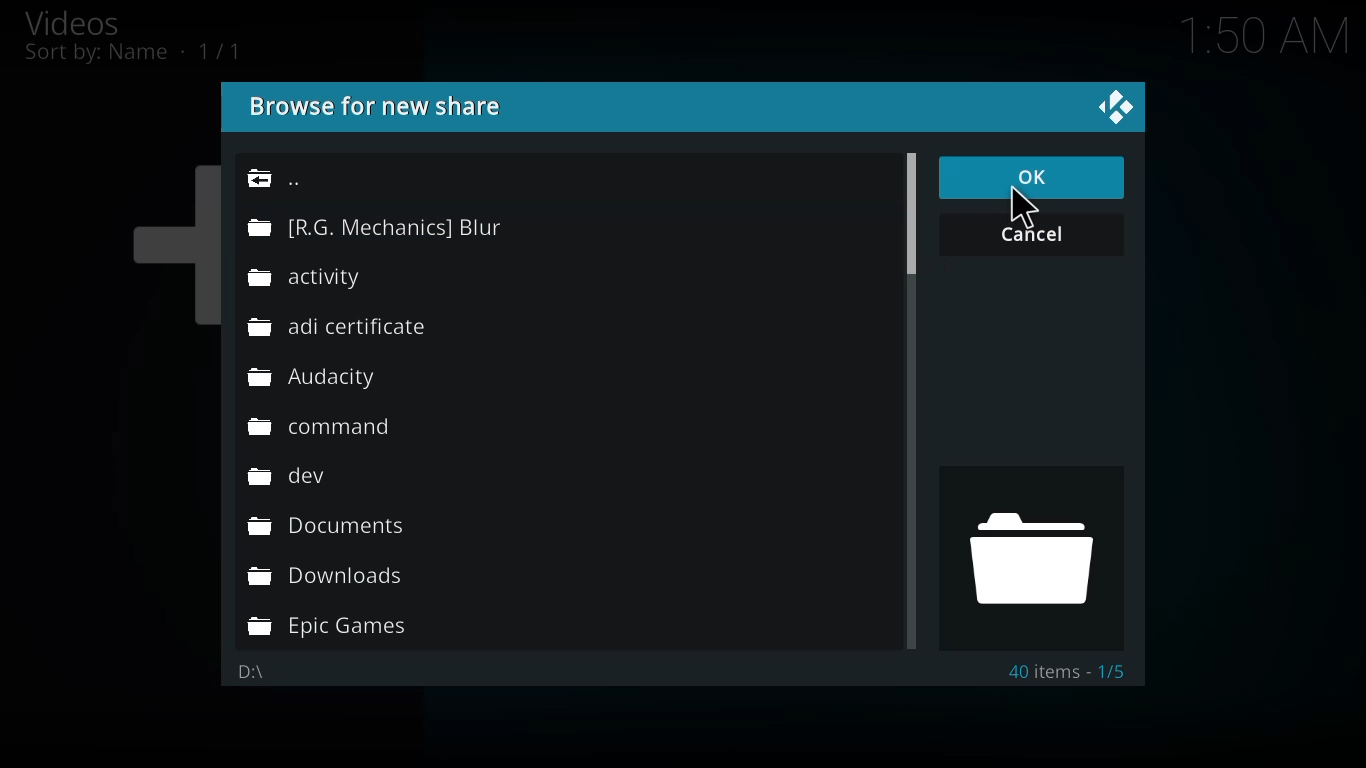 The height and width of the screenshot is (768, 1366). I want to click on 40 items, so click(1068, 670).